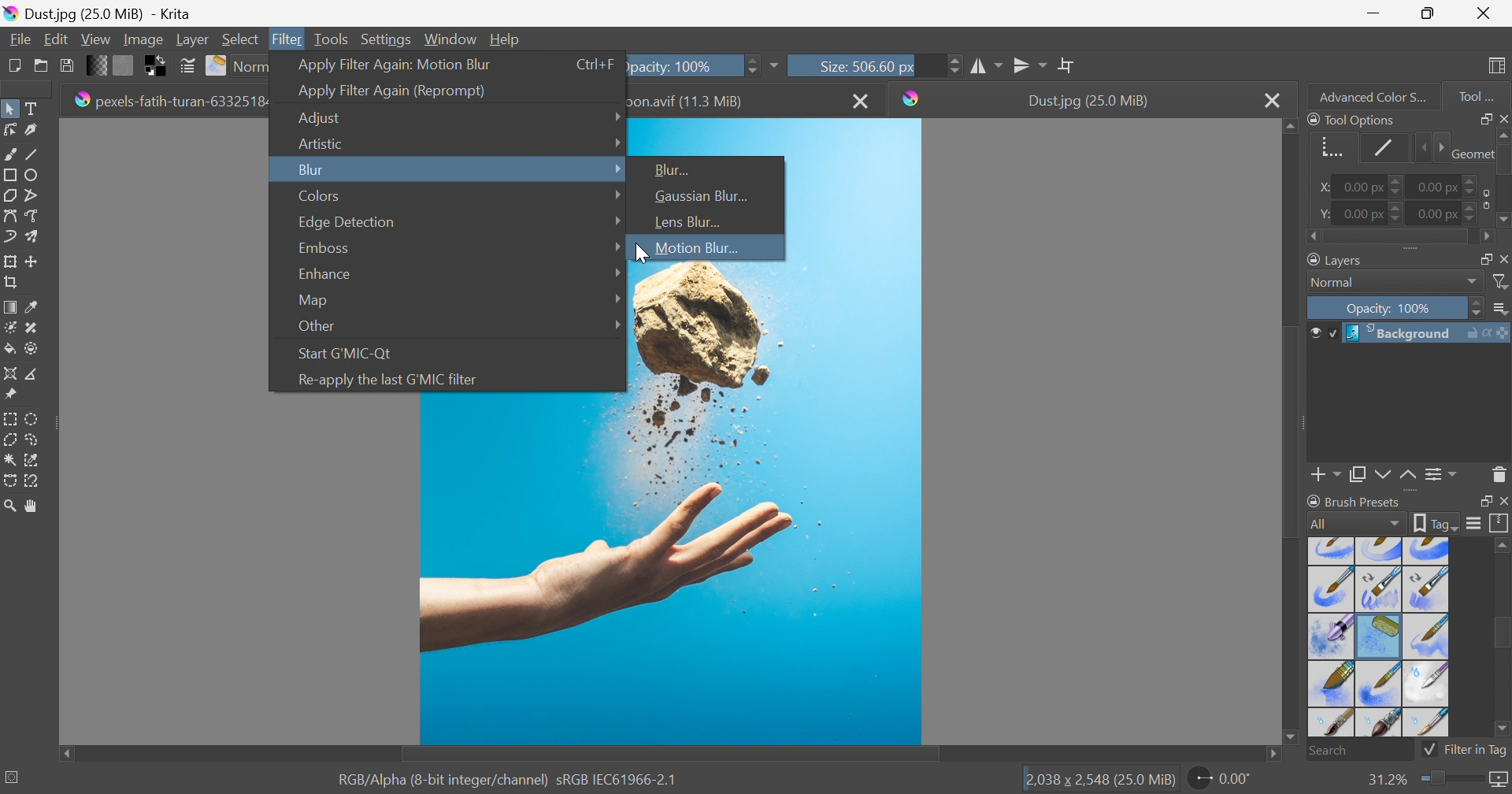 The width and height of the screenshot is (1512, 794). What do you see at coordinates (38, 154) in the screenshot?
I see `Line tool` at bounding box center [38, 154].